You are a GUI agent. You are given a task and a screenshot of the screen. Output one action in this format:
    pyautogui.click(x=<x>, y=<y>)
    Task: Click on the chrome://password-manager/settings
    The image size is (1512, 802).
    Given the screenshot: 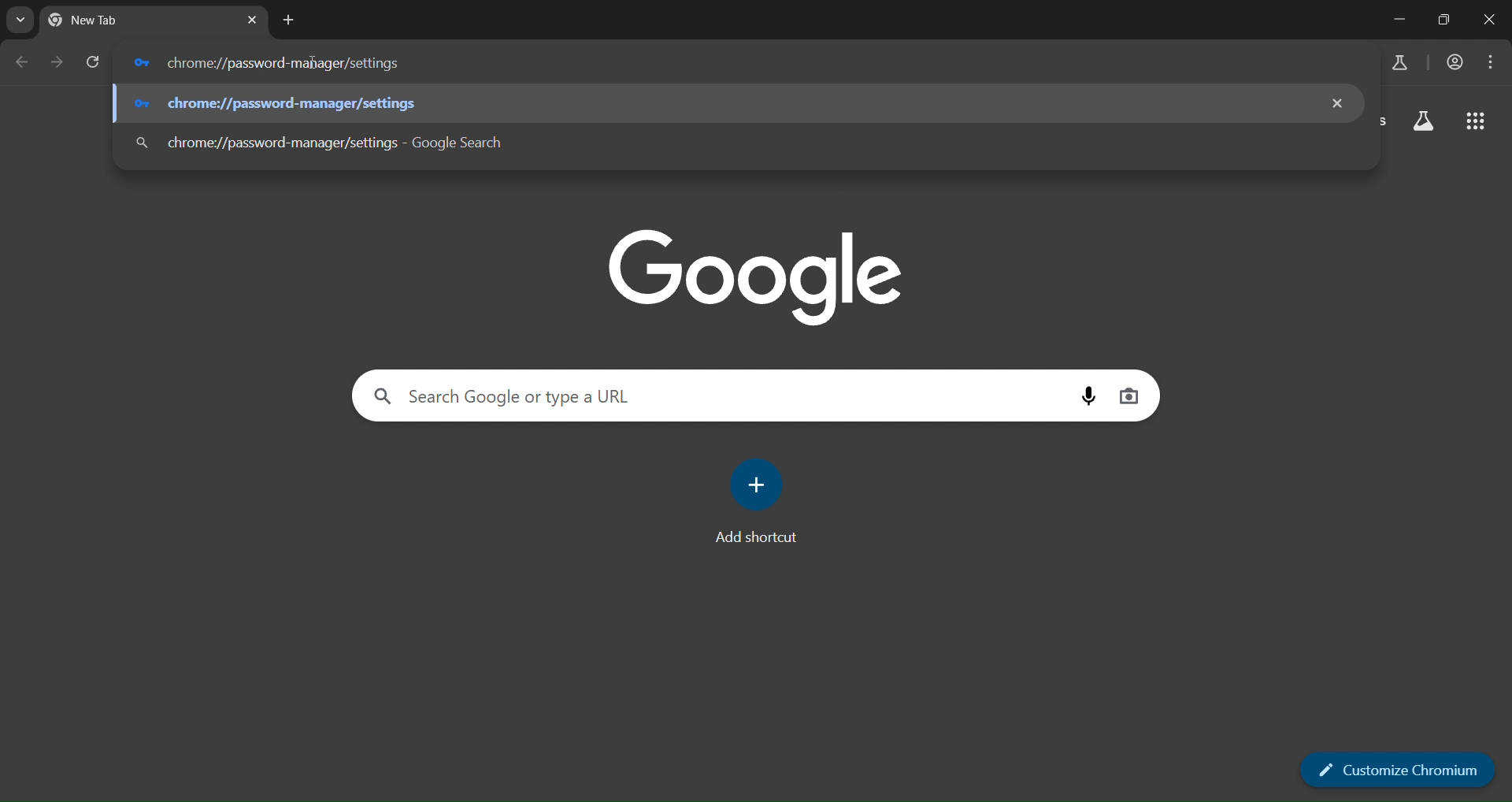 What is the action you would take?
    pyautogui.click(x=734, y=61)
    